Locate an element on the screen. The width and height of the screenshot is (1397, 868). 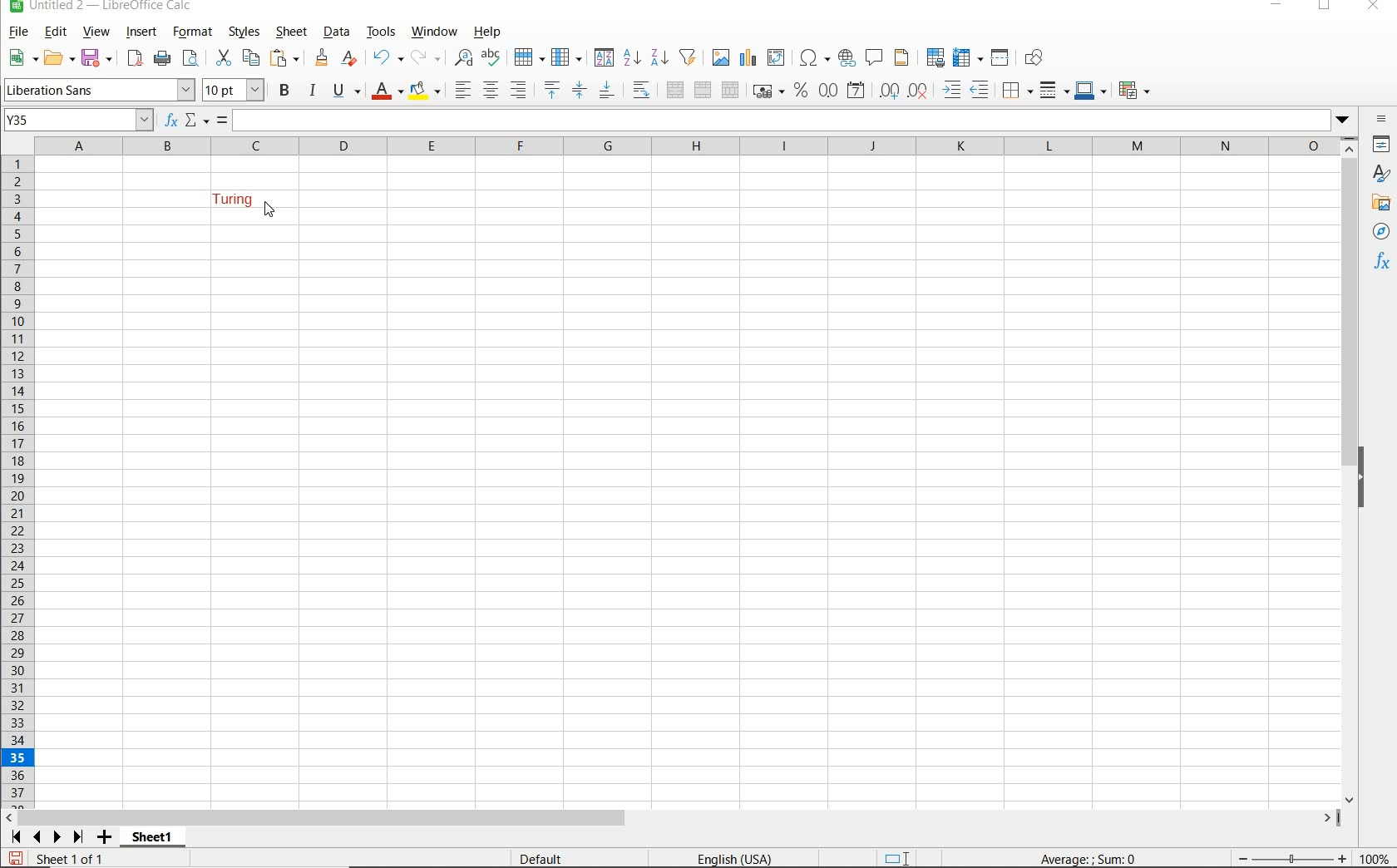
PRINT is located at coordinates (164, 58).